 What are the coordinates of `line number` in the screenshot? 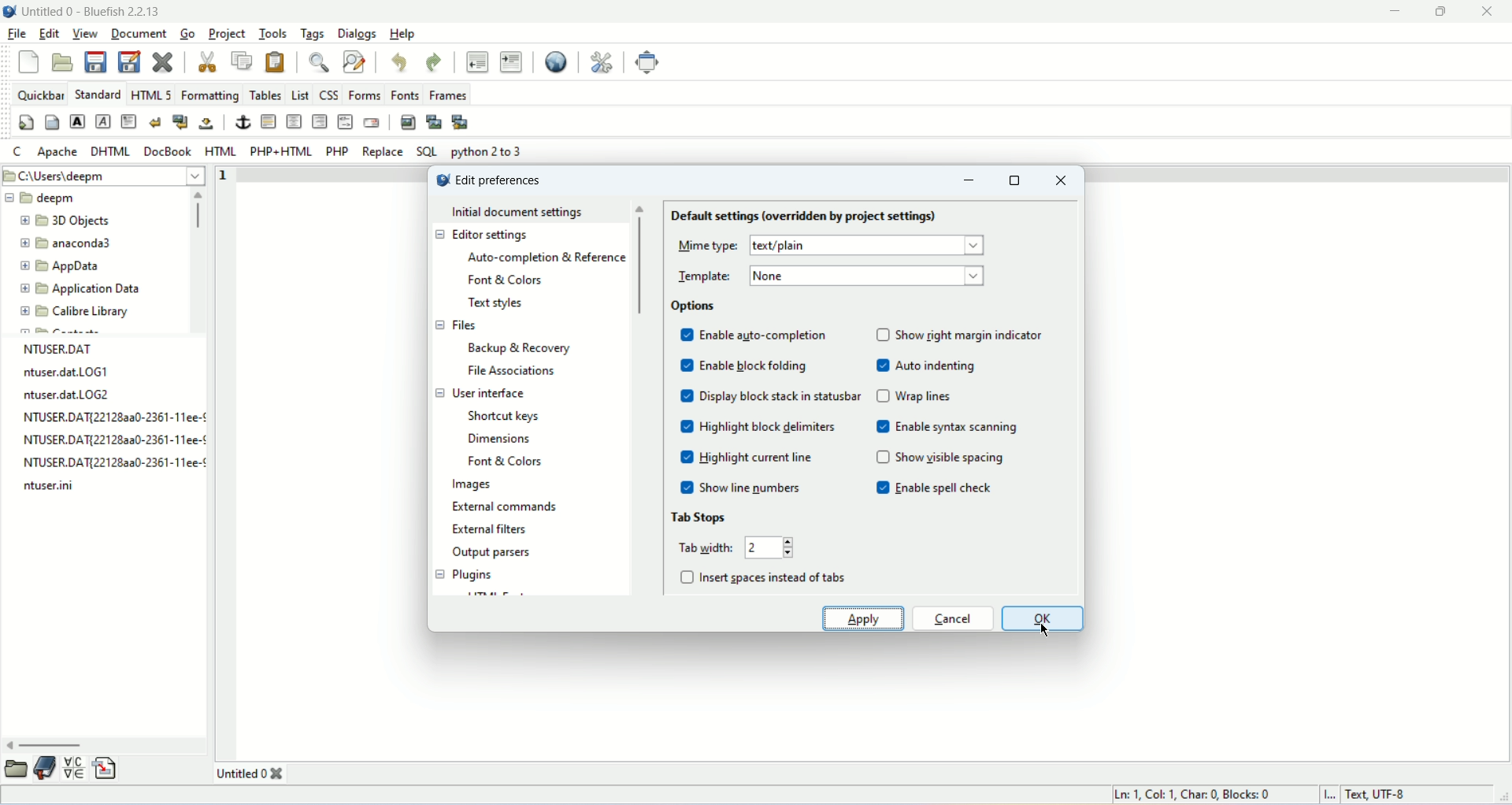 It's located at (228, 175).